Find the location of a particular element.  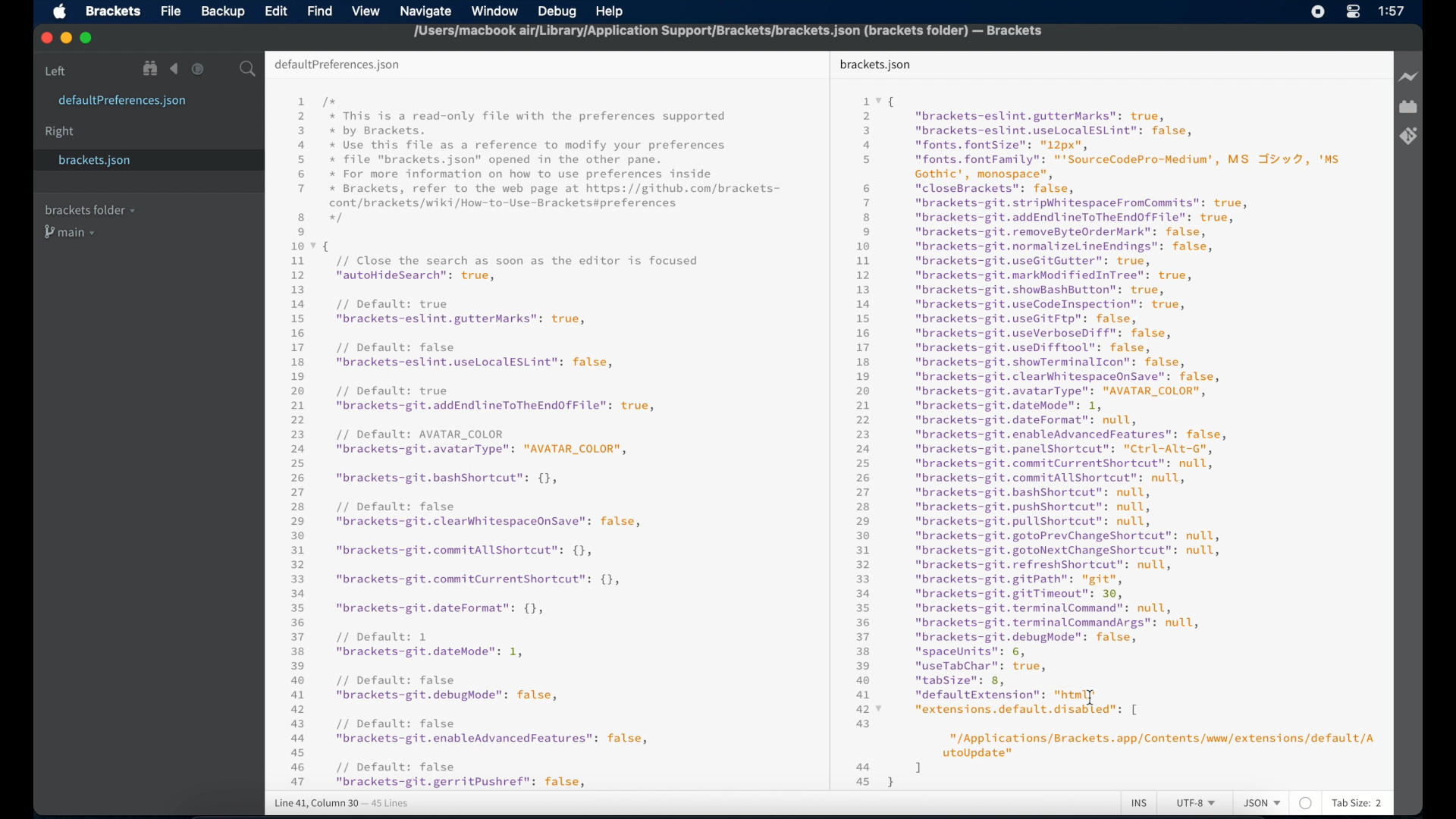

minimize is located at coordinates (66, 39).